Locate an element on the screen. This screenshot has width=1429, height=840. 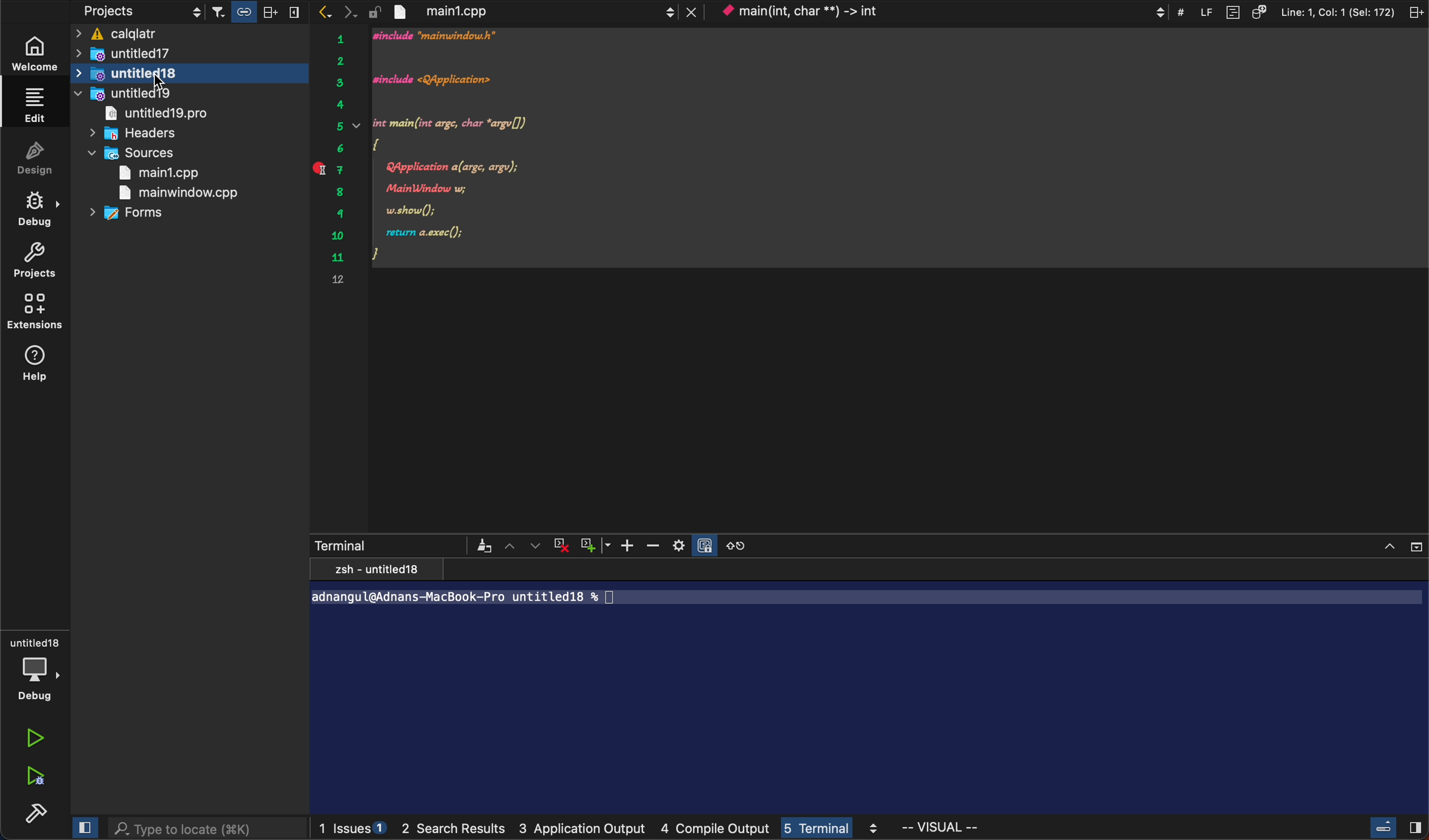
main1,cpp is located at coordinates (161, 172).